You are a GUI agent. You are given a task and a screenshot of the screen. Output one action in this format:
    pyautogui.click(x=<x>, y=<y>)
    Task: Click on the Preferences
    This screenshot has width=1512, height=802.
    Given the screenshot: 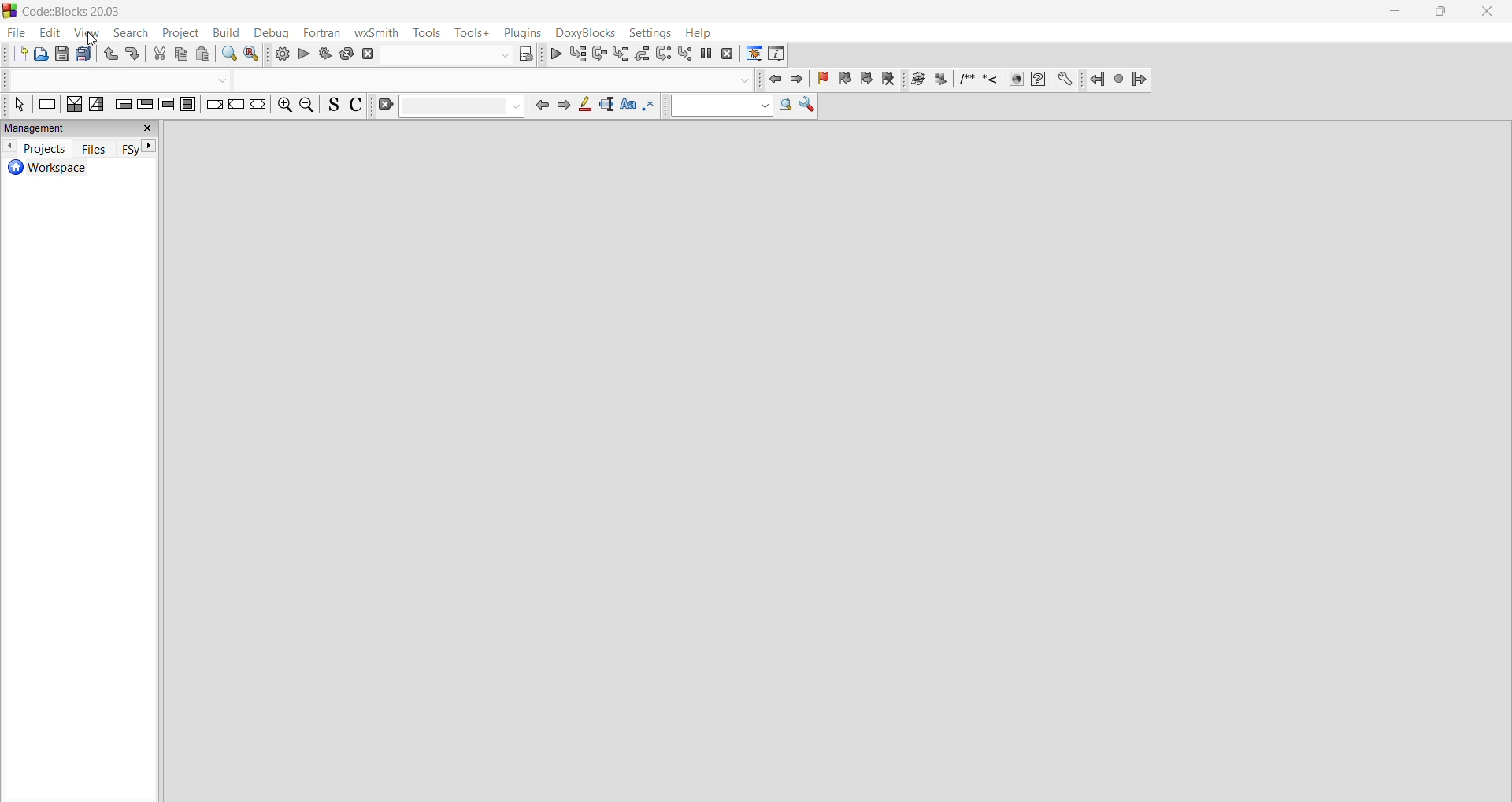 What is the action you would take?
    pyautogui.click(x=1066, y=80)
    